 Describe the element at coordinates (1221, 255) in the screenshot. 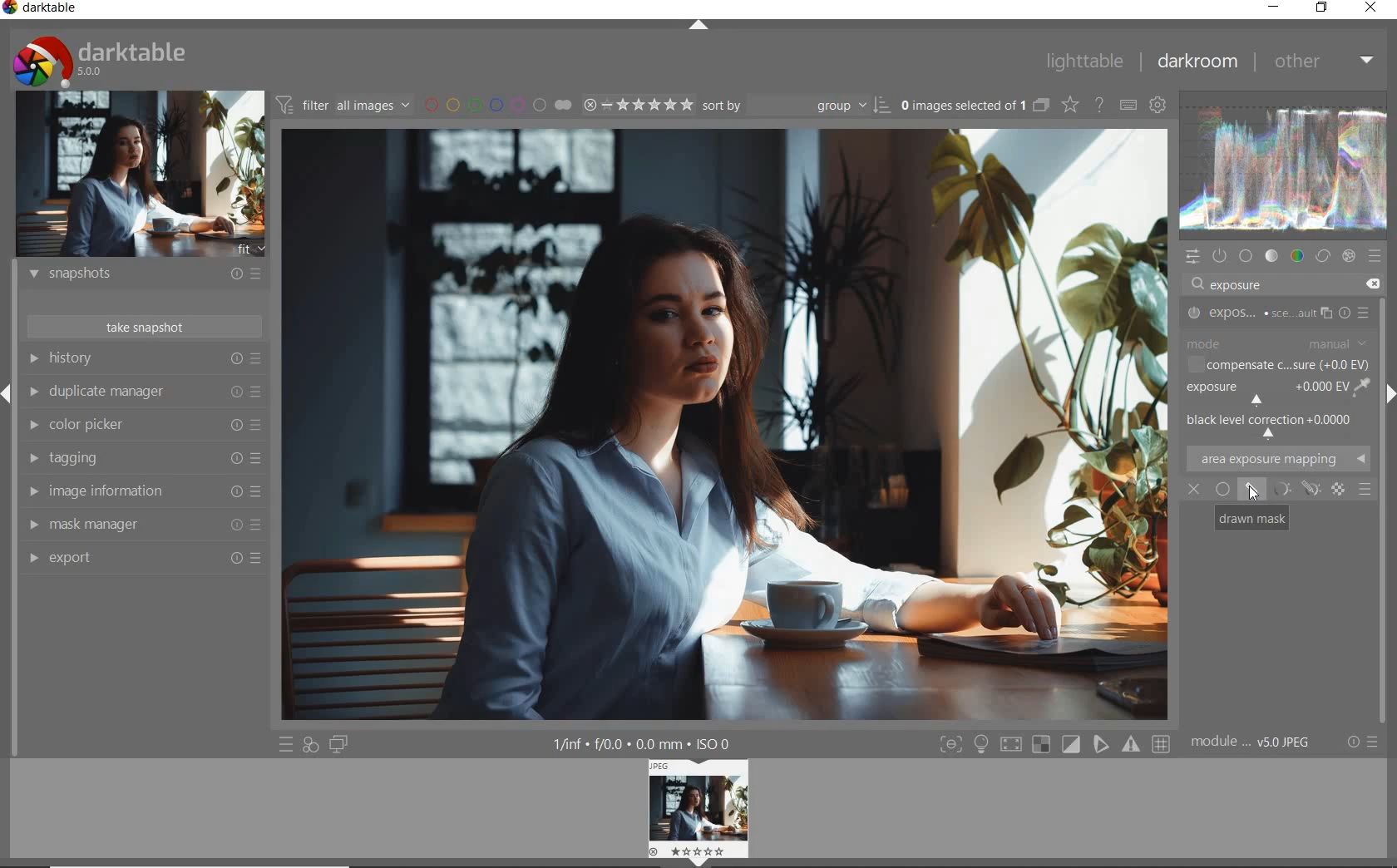

I see `show only active module` at that location.